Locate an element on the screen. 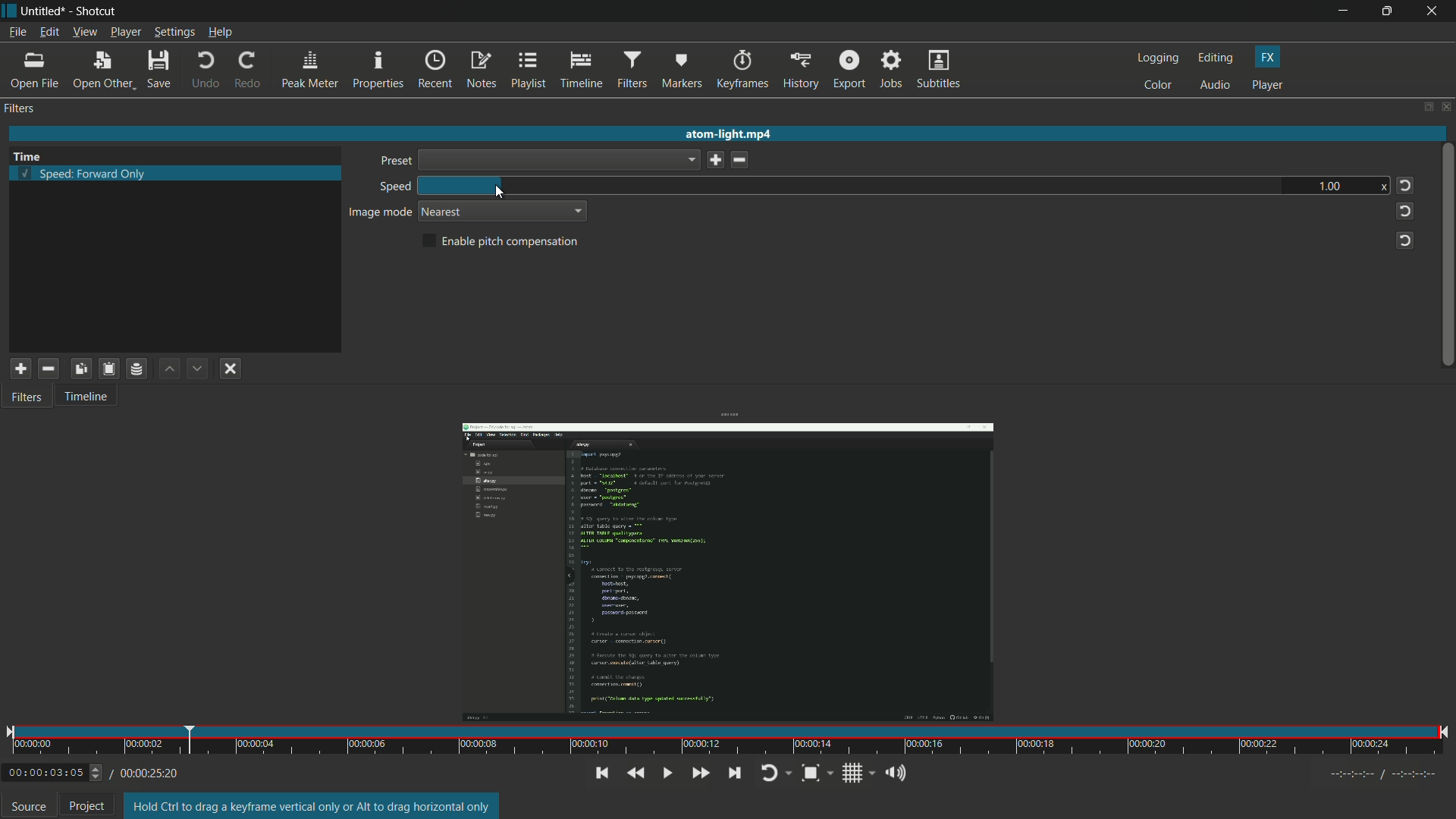 Image resolution: width=1456 pixels, height=819 pixels. fx is located at coordinates (1270, 58).